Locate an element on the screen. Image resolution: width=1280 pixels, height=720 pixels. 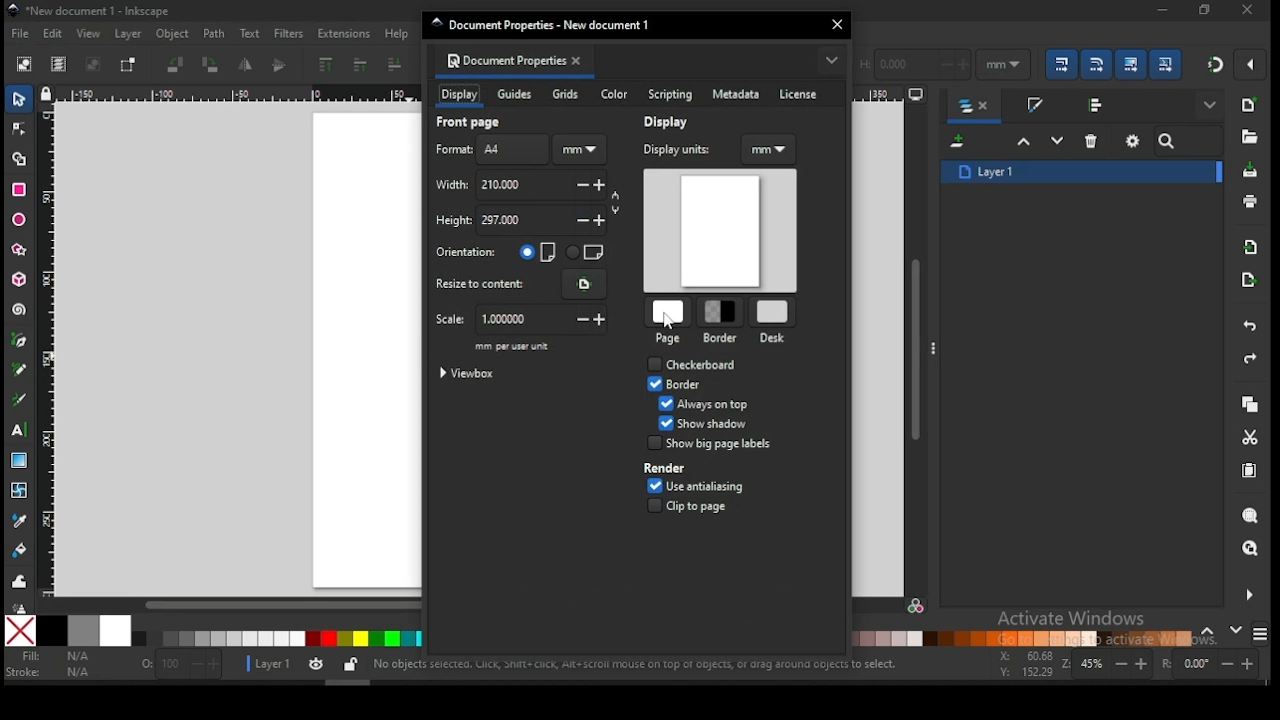
deselect is located at coordinates (90, 65).